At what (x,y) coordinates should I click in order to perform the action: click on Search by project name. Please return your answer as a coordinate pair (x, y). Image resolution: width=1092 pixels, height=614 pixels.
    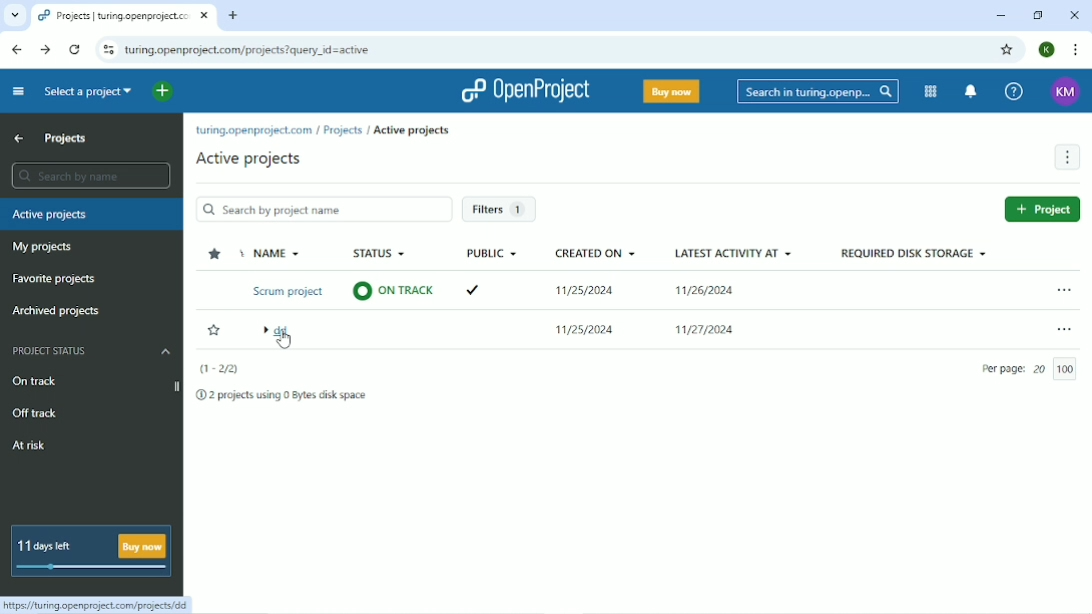
    Looking at the image, I should click on (324, 208).